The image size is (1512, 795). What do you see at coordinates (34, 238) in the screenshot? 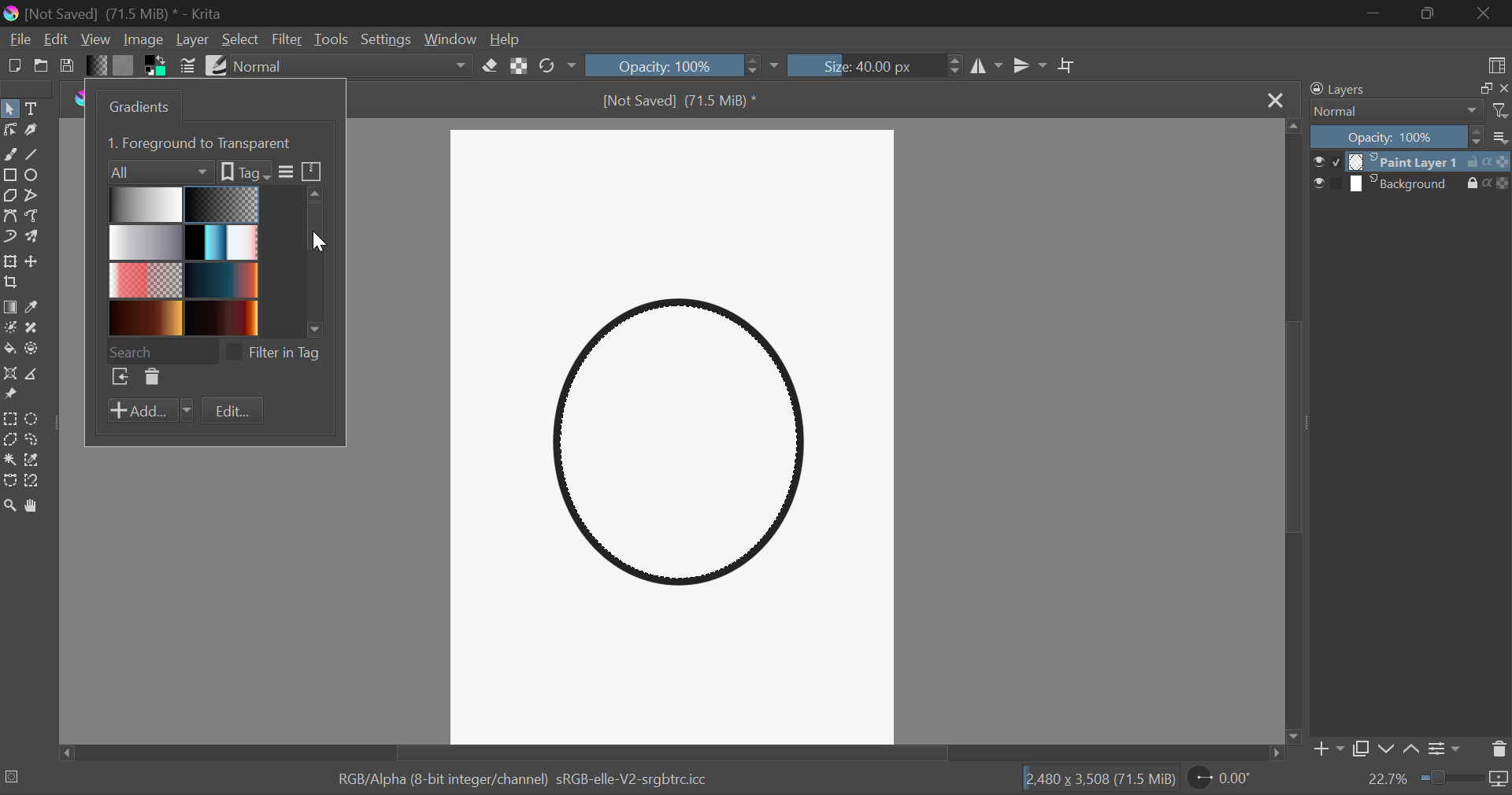
I see `Multibrush` at bounding box center [34, 238].